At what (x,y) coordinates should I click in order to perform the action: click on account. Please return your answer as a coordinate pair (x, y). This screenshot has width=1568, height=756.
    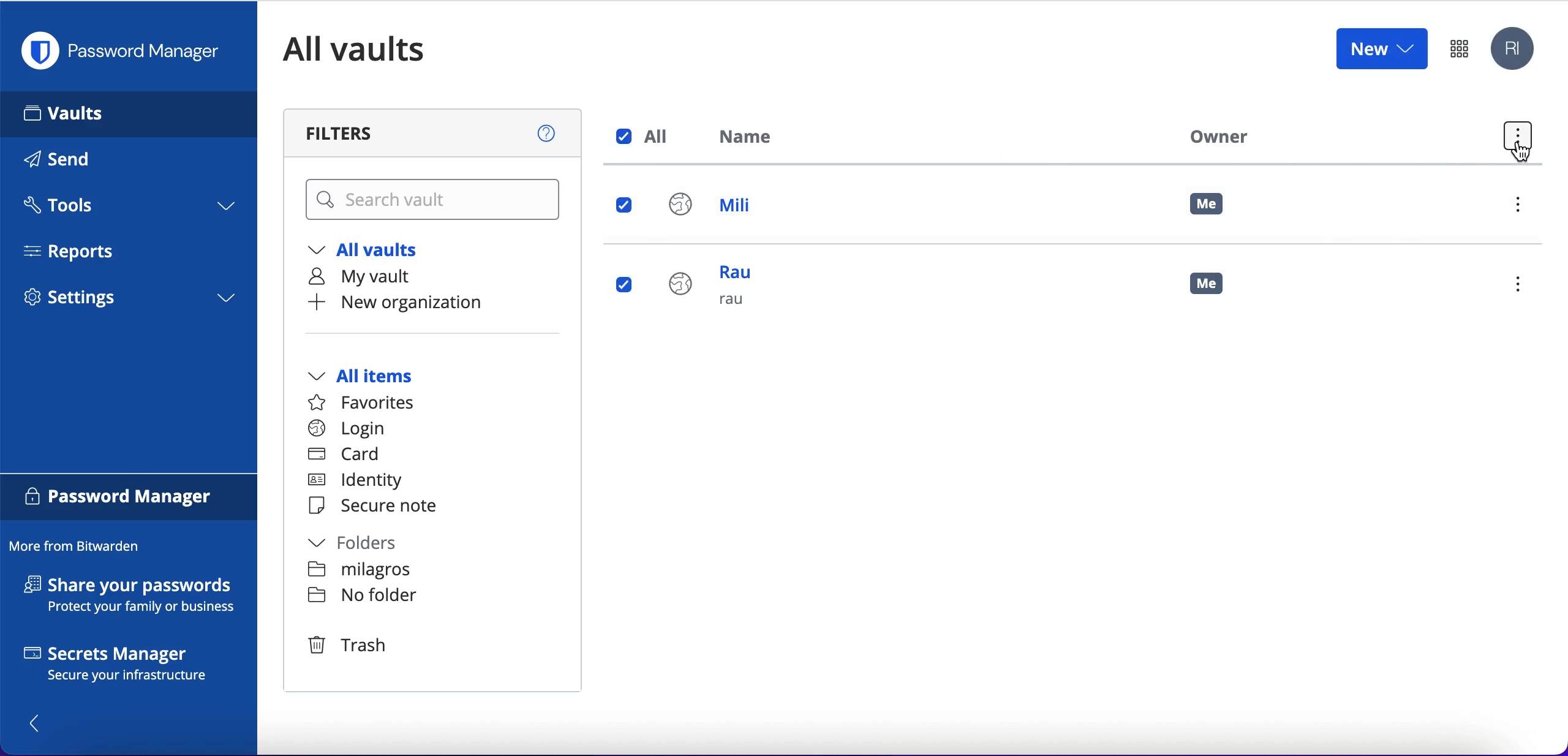
    Looking at the image, I should click on (1515, 50).